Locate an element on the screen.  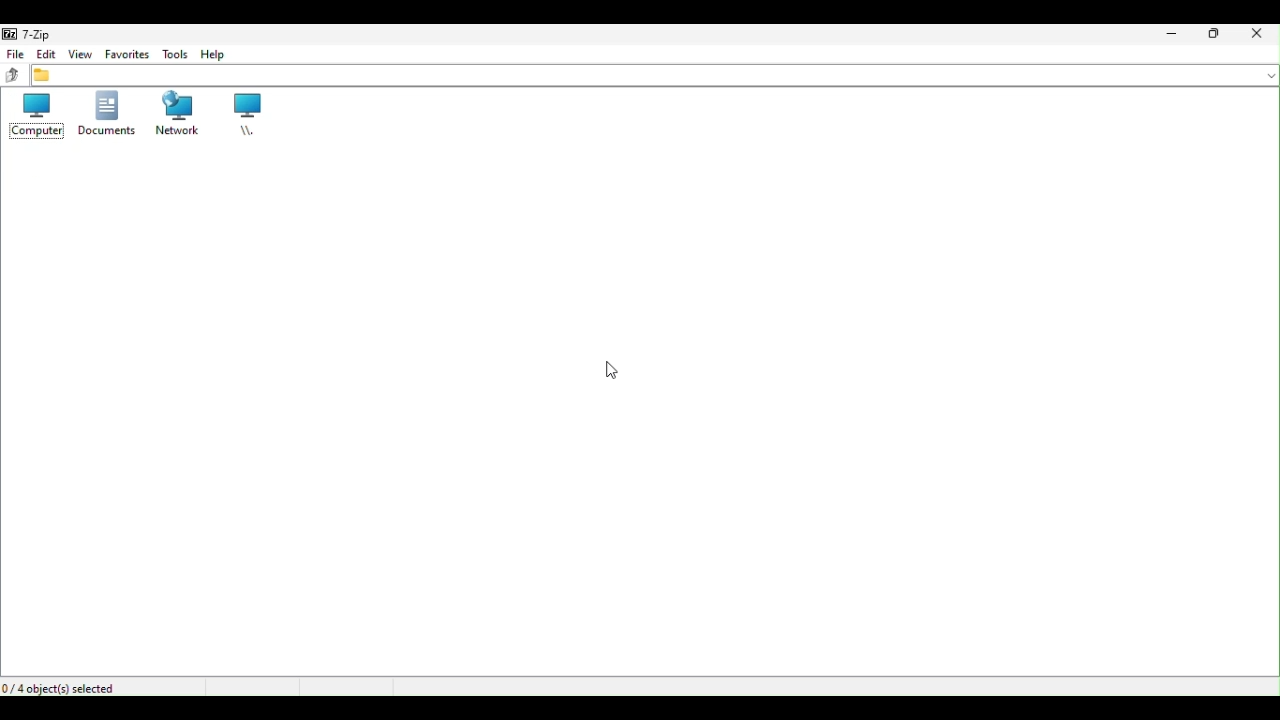
7 zip is located at coordinates (26, 34).